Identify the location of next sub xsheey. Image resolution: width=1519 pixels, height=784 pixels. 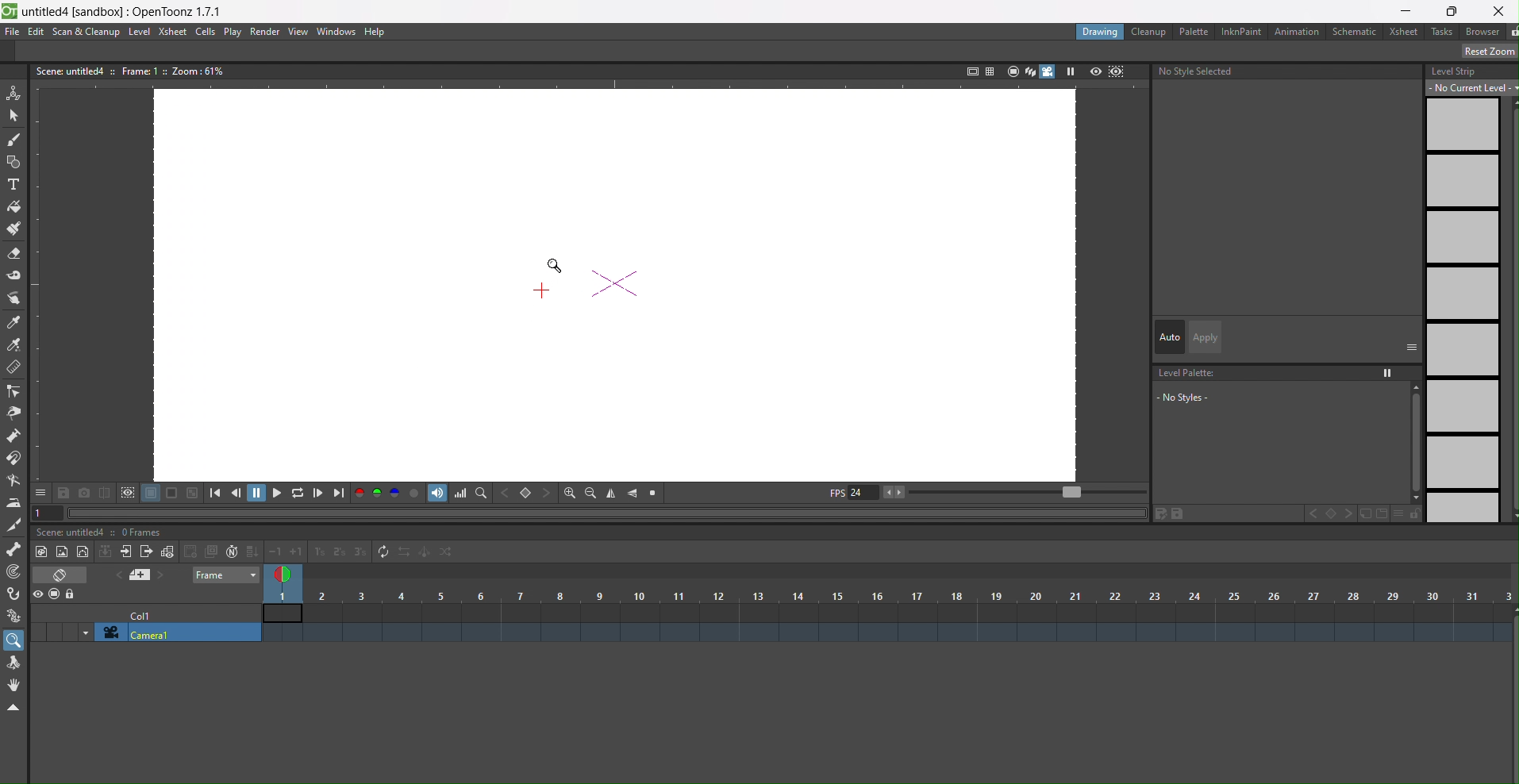
(147, 553).